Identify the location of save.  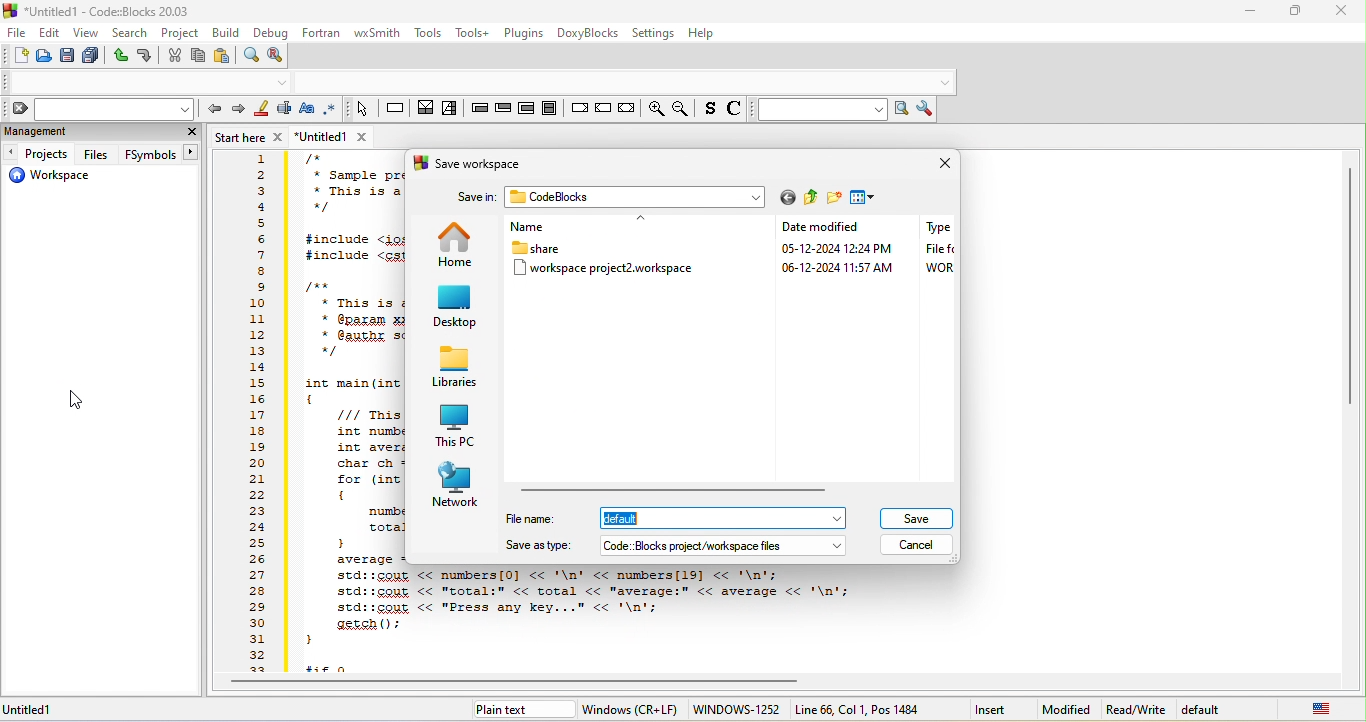
(915, 518).